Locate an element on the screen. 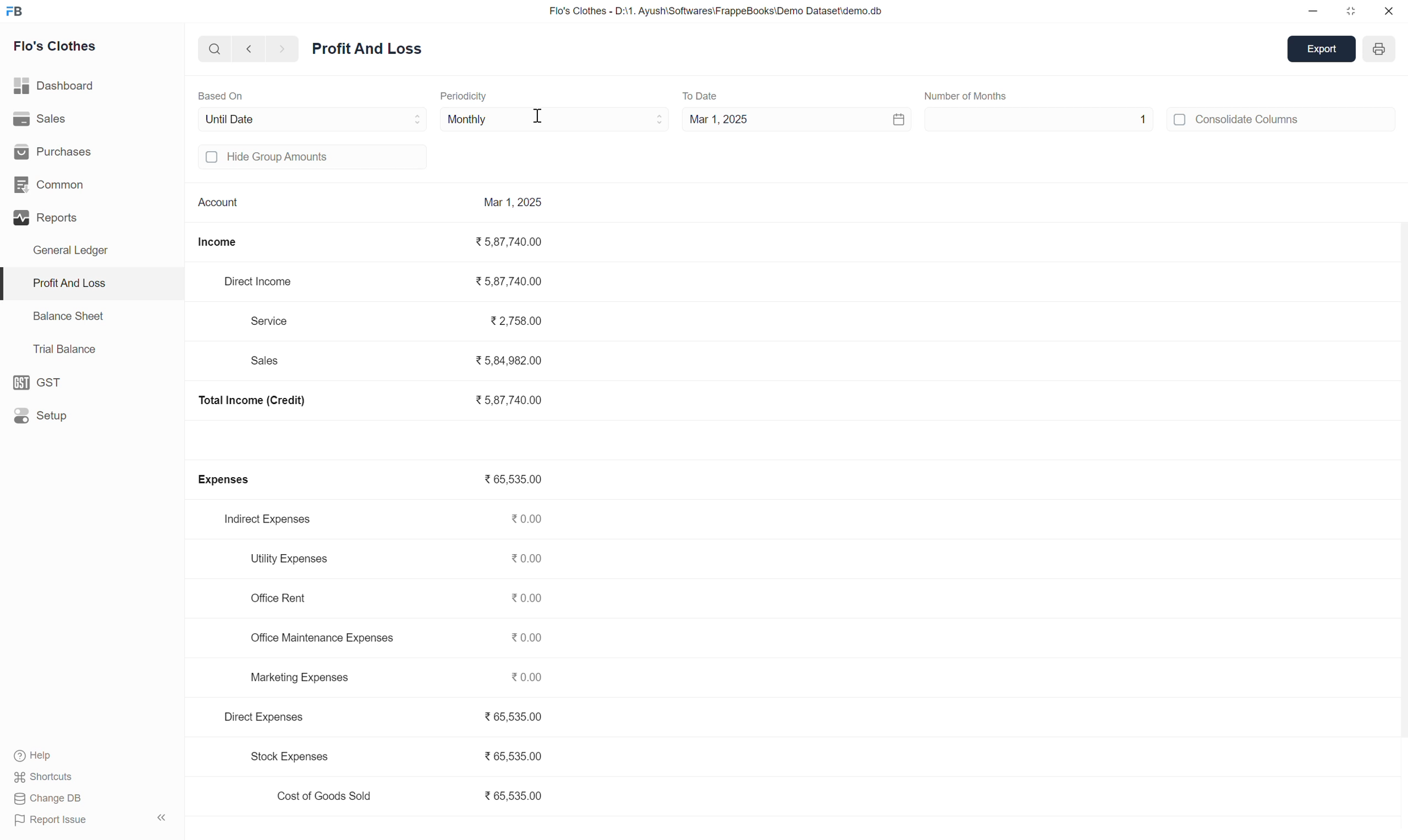 The width and height of the screenshot is (1408, 840). ₹65,535.00 is located at coordinates (514, 798).